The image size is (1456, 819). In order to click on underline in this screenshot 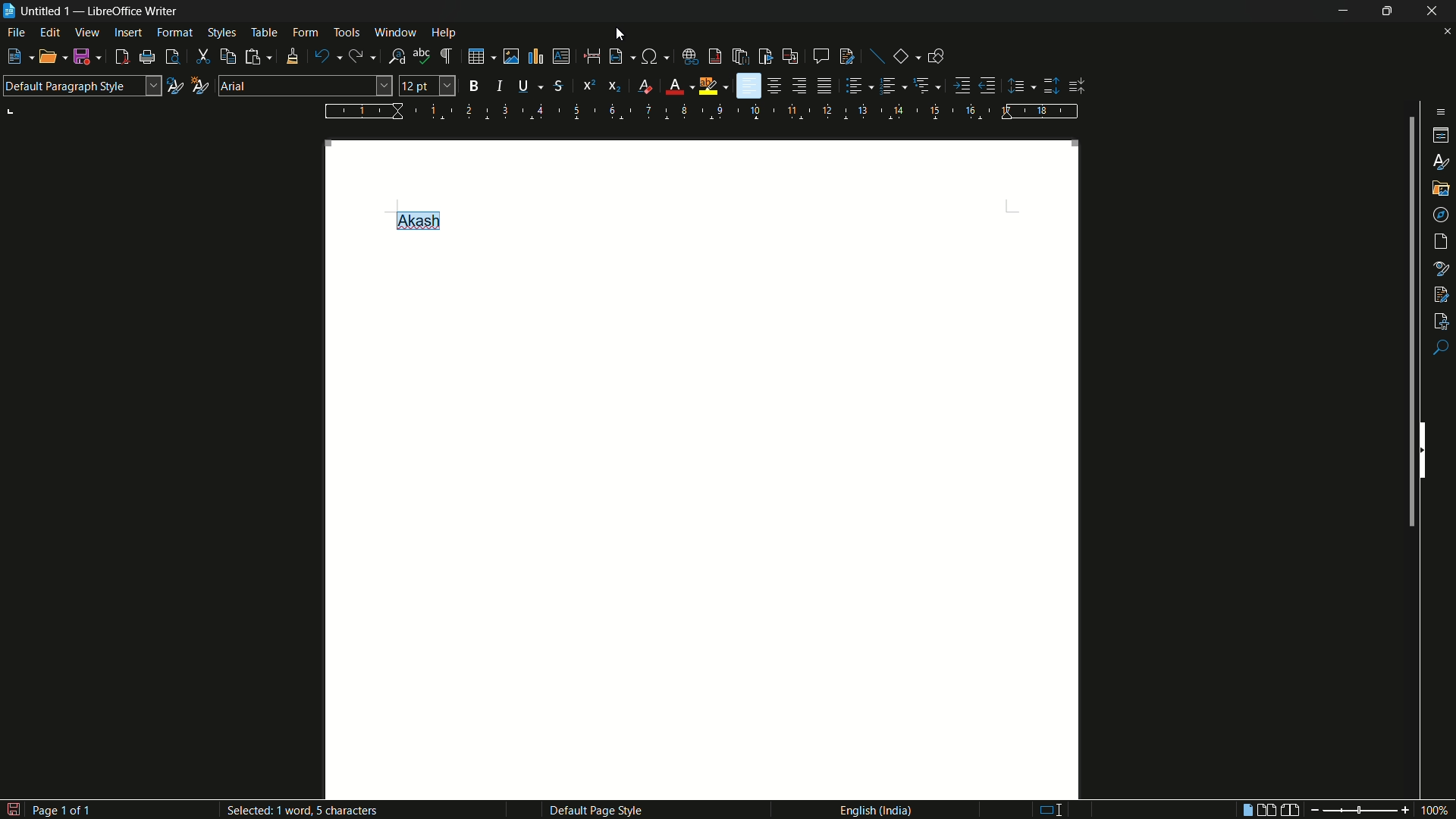, I will do `click(523, 85)`.